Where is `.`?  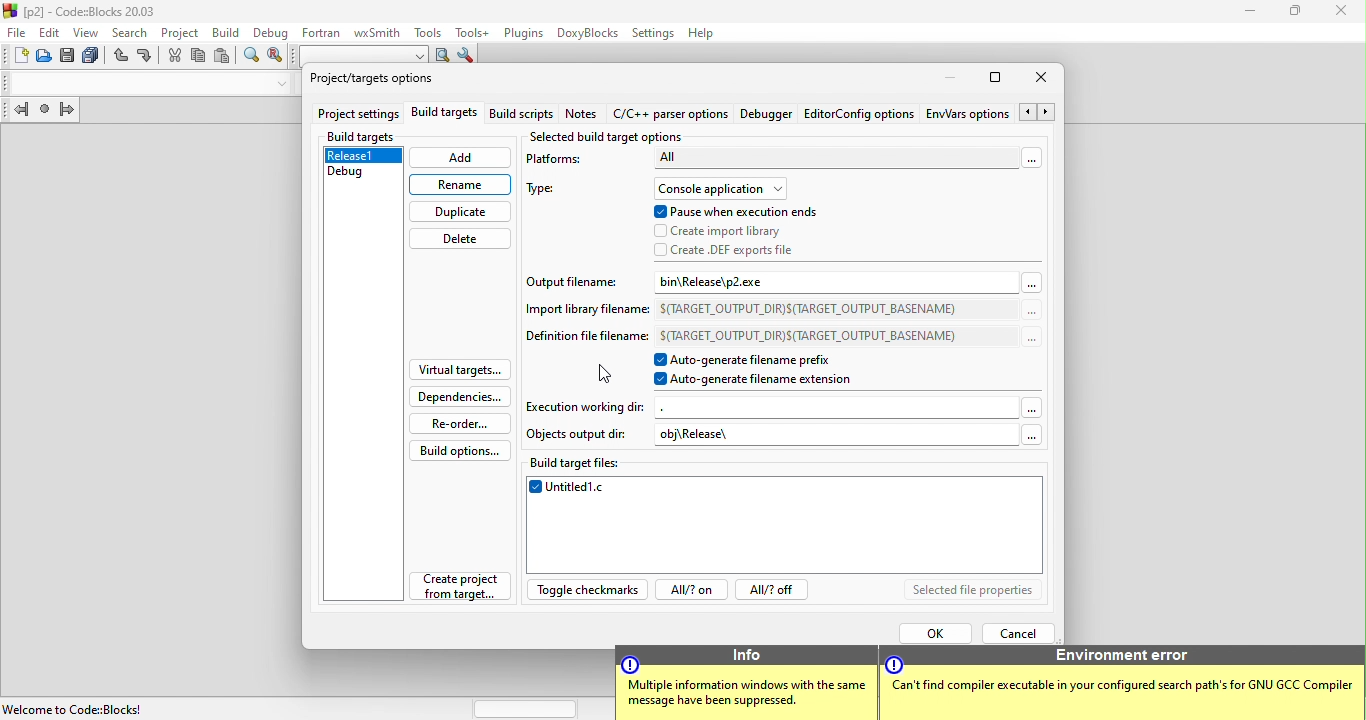
. is located at coordinates (705, 405).